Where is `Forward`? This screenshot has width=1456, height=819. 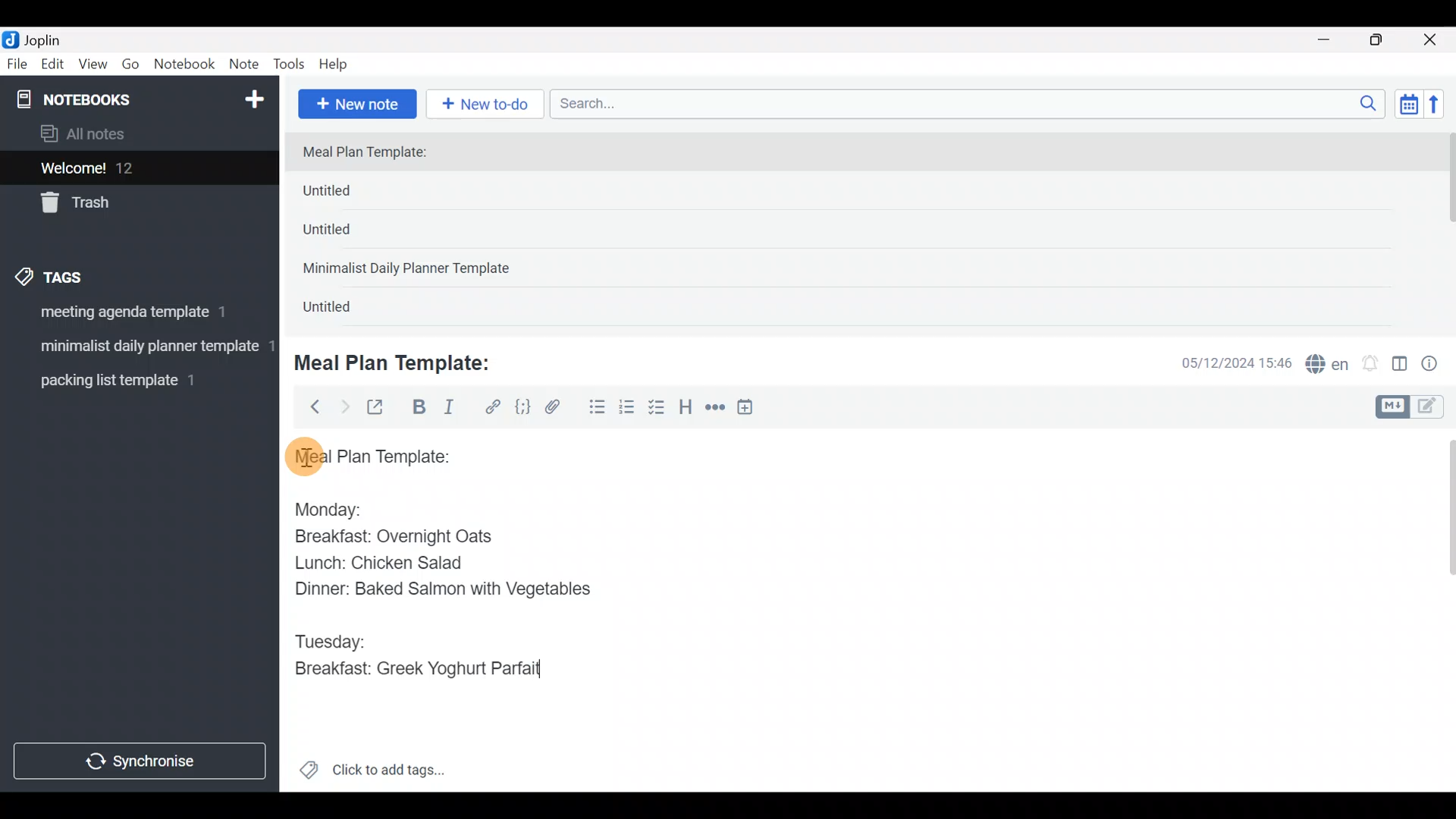 Forward is located at coordinates (344, 406).